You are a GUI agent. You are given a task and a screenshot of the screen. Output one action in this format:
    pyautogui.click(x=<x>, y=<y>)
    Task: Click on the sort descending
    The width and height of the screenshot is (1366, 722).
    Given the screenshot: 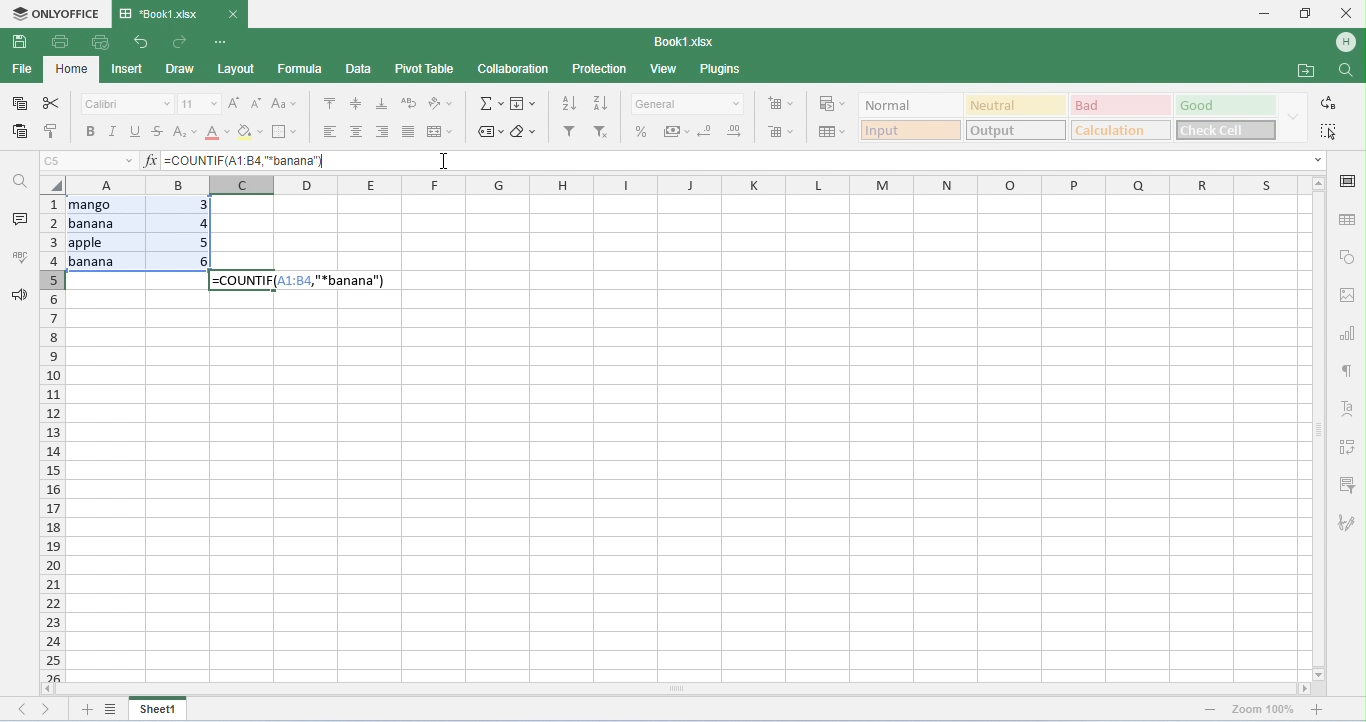 What is the action you would take?
    pyautogui.click(x=599, y=103)
    